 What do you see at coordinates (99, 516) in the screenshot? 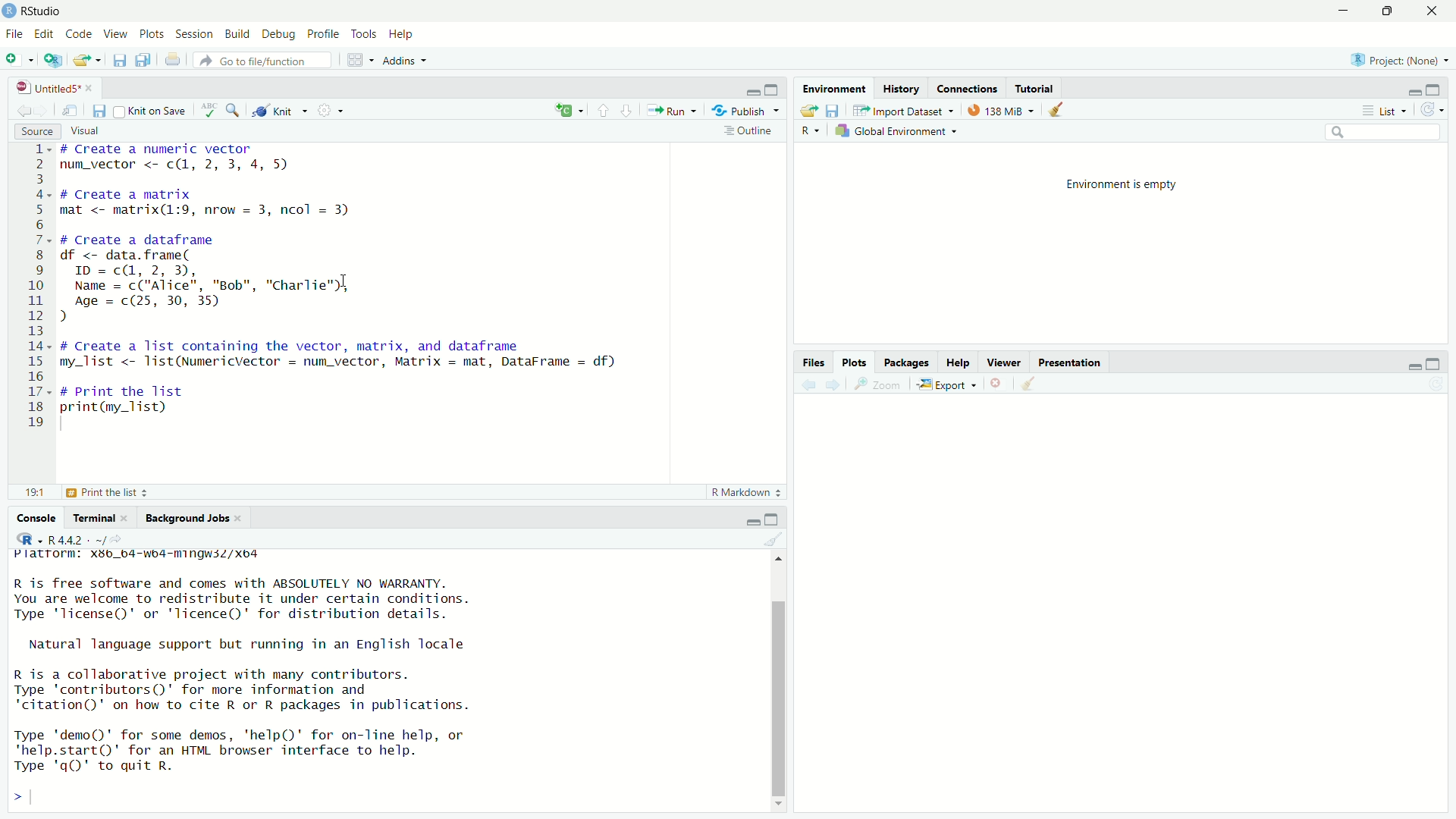
I see `Terminal` at bounding box center [99, 516].